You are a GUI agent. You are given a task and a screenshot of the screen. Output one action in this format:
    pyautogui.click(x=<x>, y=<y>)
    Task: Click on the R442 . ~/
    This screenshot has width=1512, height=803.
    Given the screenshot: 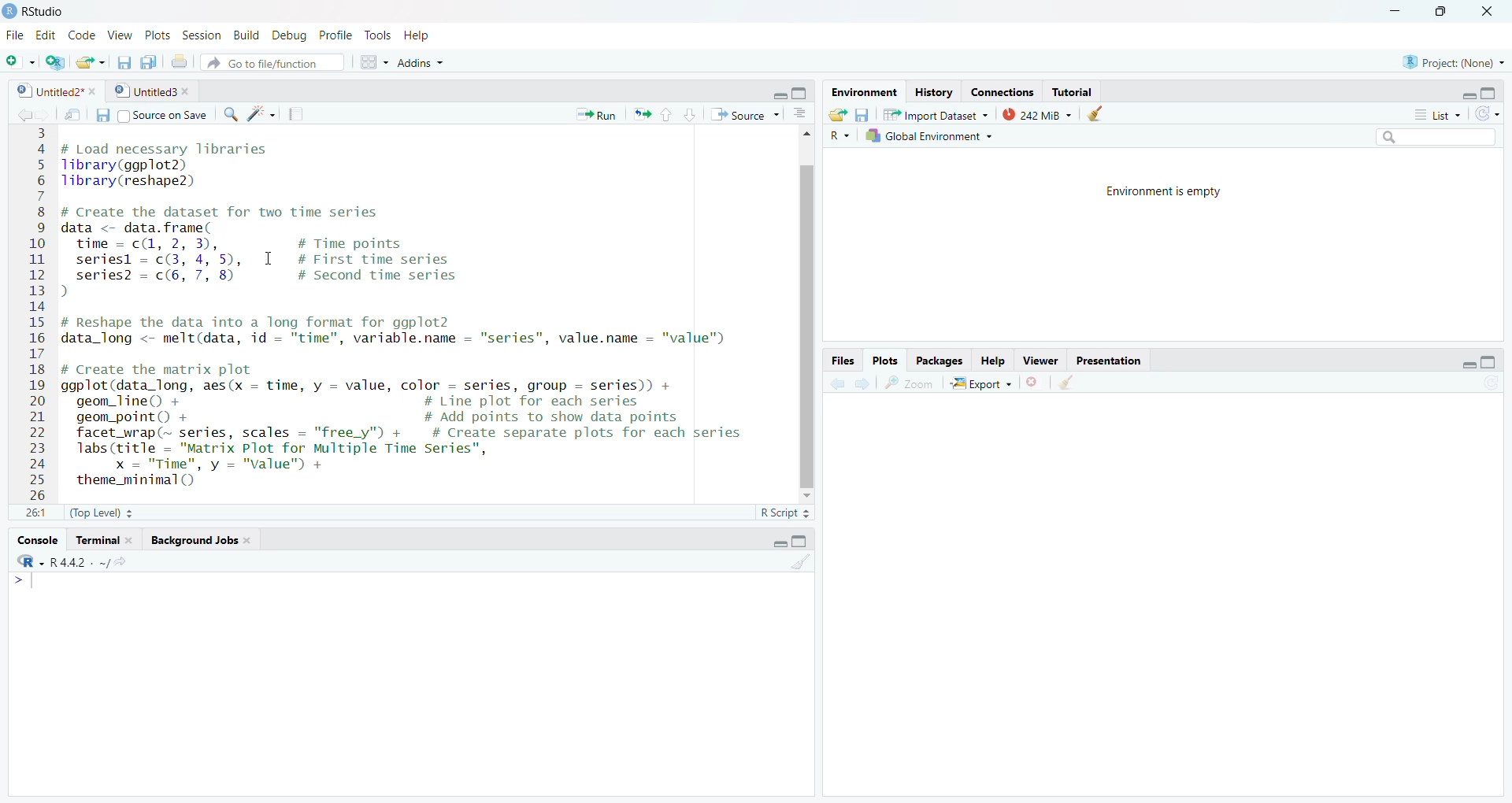 What is the action you would take?
    pyautogui.click(x=80, y=561)
    